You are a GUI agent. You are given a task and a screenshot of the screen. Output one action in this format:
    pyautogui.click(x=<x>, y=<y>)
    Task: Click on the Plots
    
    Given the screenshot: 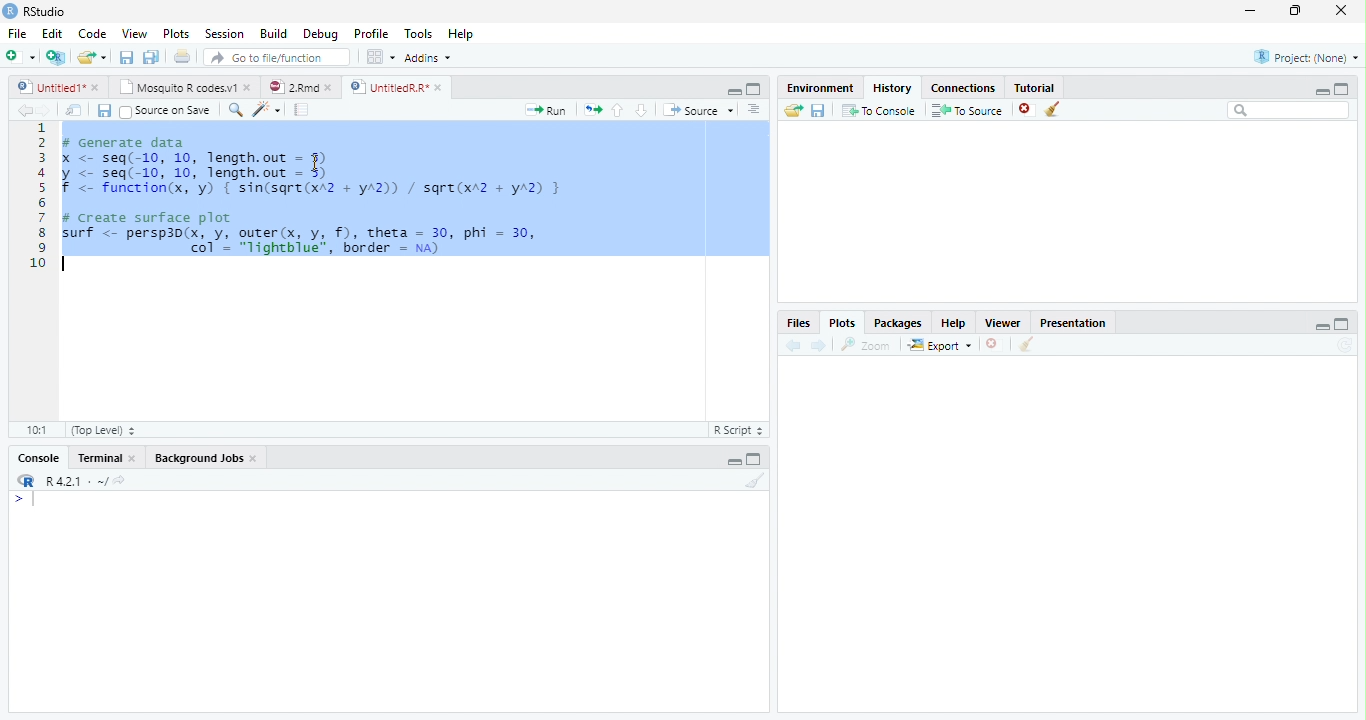 What is the action you would take?
    pyautogui.click(x=843, y=322)
    